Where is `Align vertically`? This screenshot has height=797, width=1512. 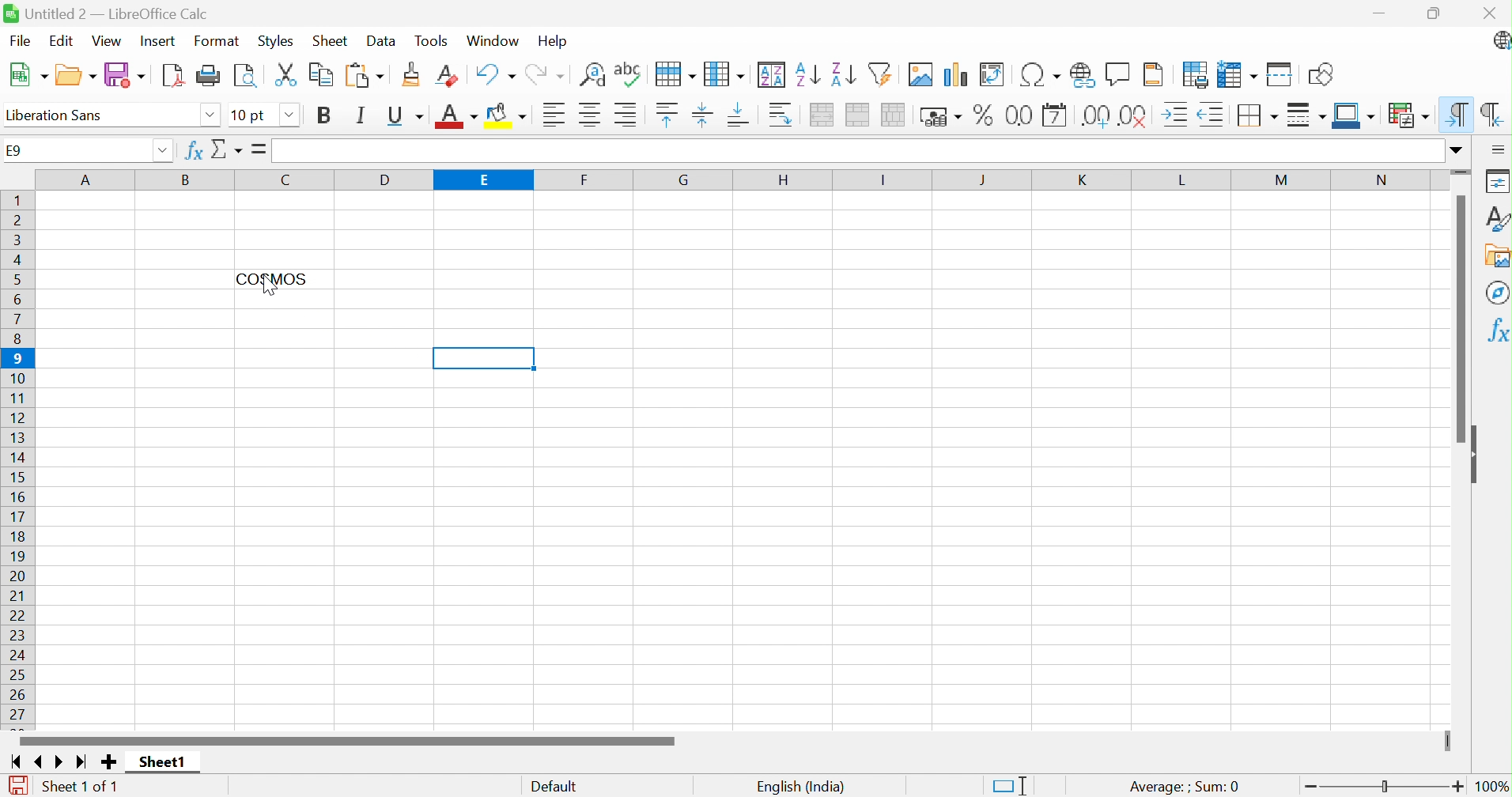
Align vertically is located at coordinates (701, 114).